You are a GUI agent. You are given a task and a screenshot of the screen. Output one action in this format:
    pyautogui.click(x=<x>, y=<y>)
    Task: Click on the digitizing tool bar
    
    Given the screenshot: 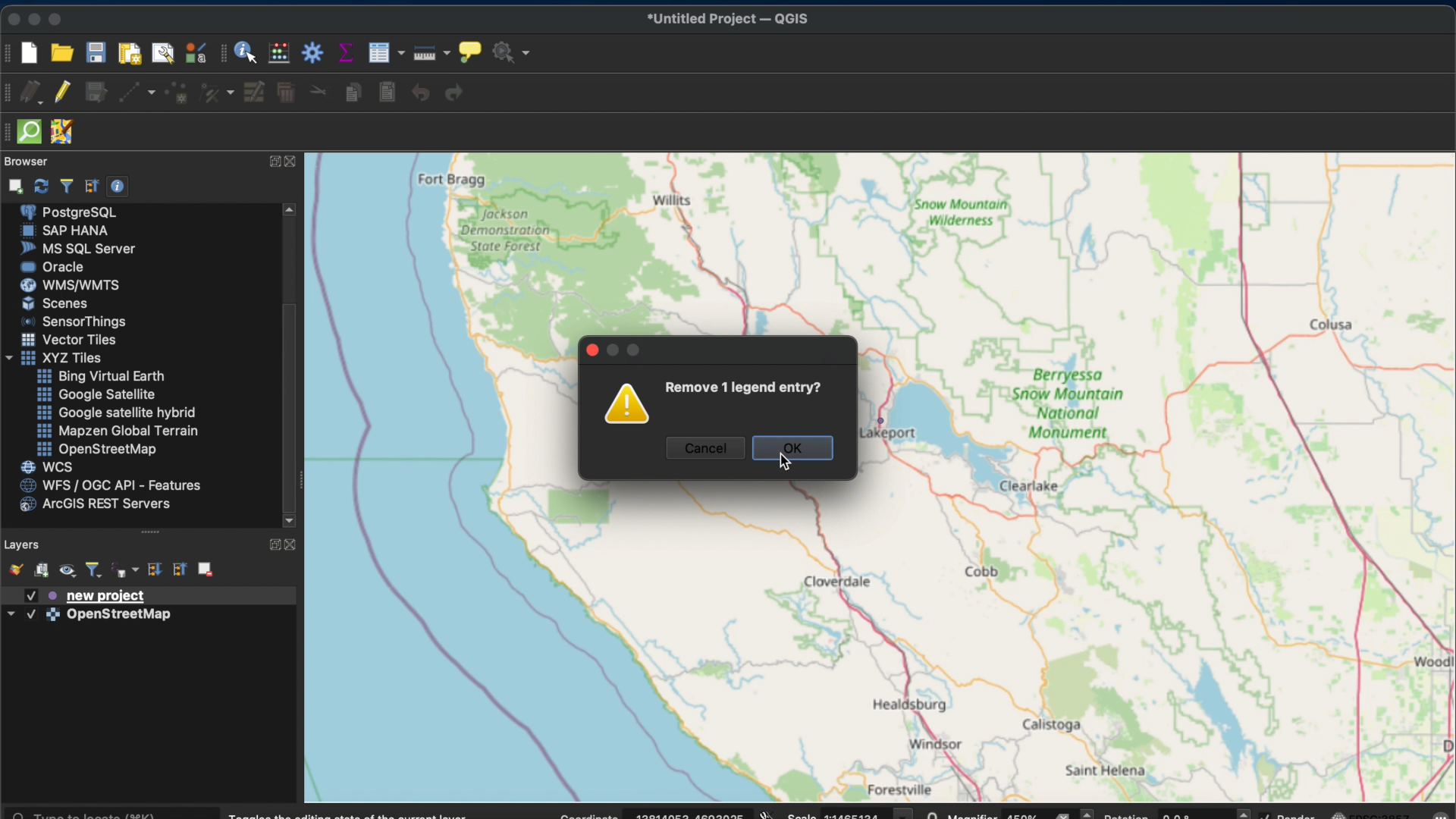 What is the action you would take?
    pyautogui.click(x=10, y=93)
    